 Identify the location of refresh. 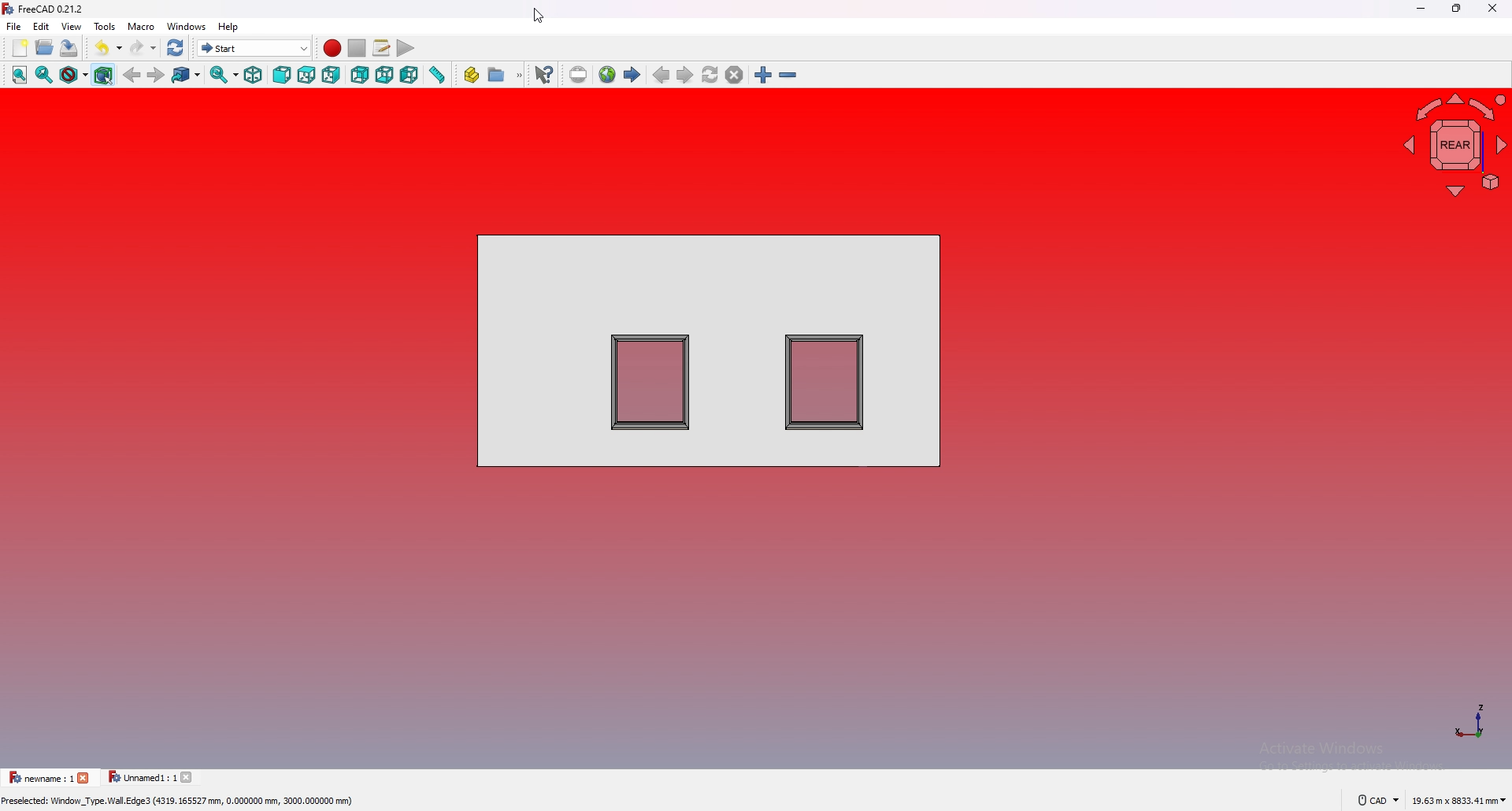
(175, 48).